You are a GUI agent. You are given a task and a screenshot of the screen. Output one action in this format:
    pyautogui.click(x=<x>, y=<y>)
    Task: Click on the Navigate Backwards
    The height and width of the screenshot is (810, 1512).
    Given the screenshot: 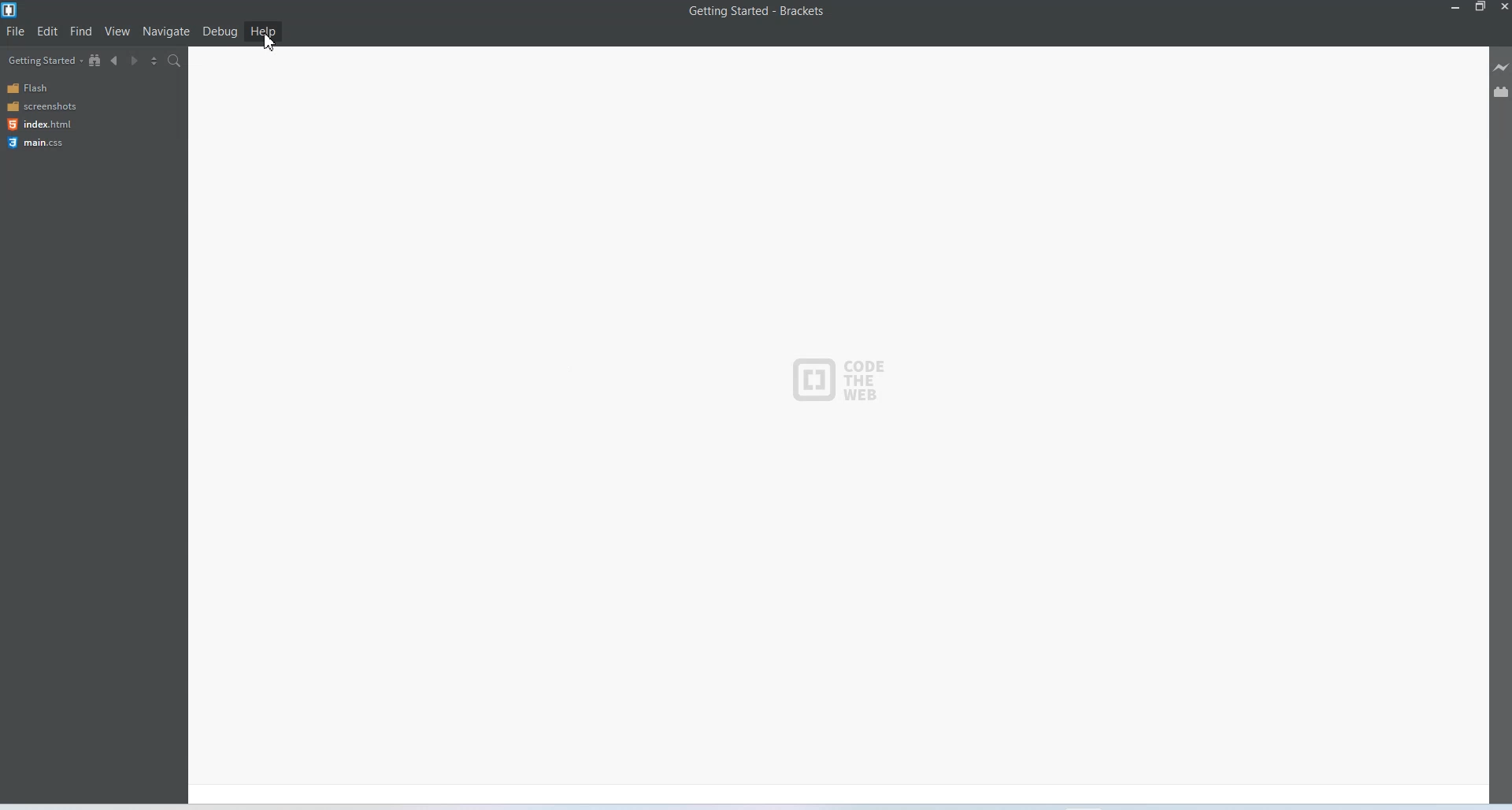 What is the action you would take?
    pyautogui.click(x=117, y=61)
    